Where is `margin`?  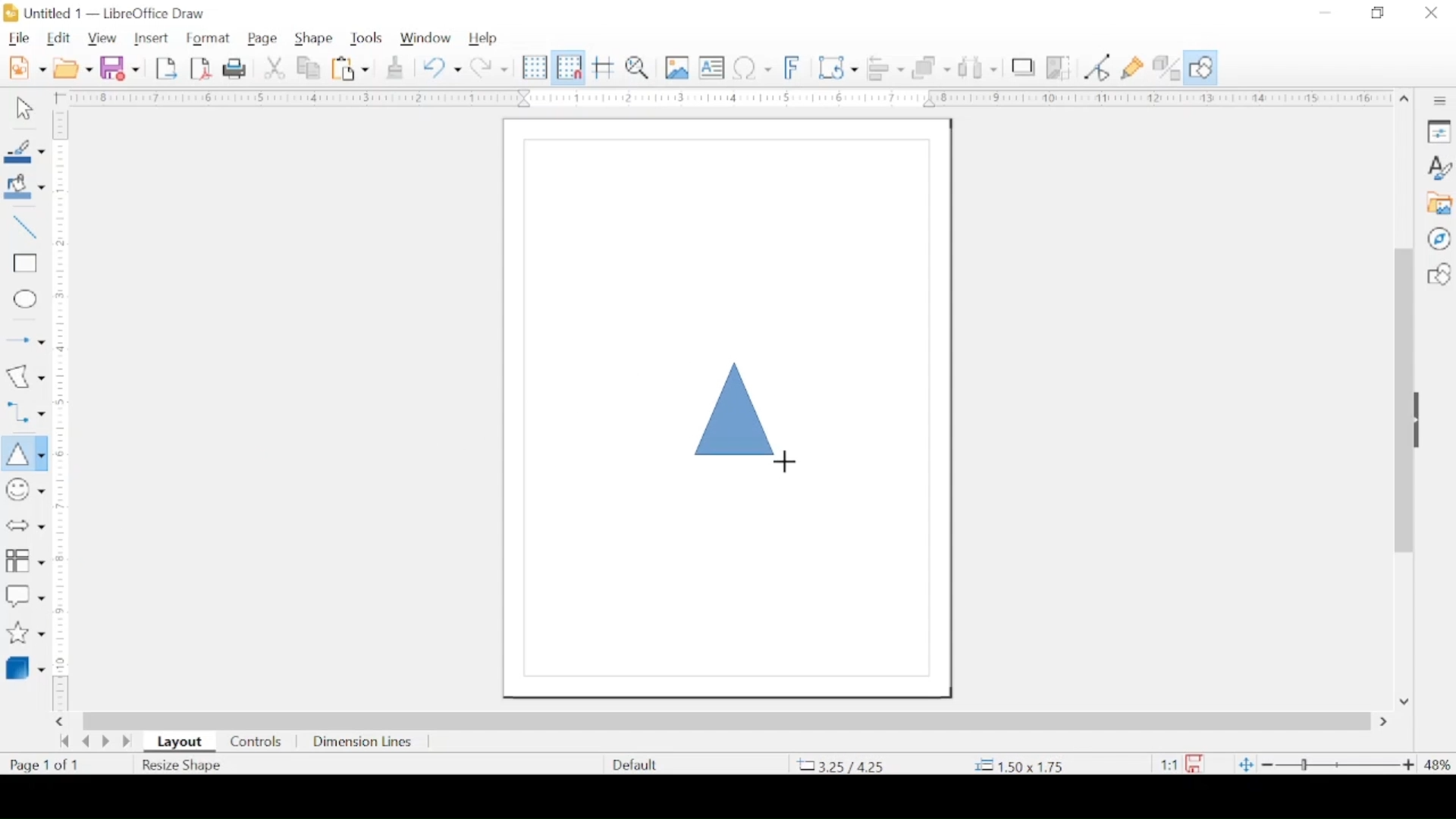 margin is located at coordinates (63, 413).